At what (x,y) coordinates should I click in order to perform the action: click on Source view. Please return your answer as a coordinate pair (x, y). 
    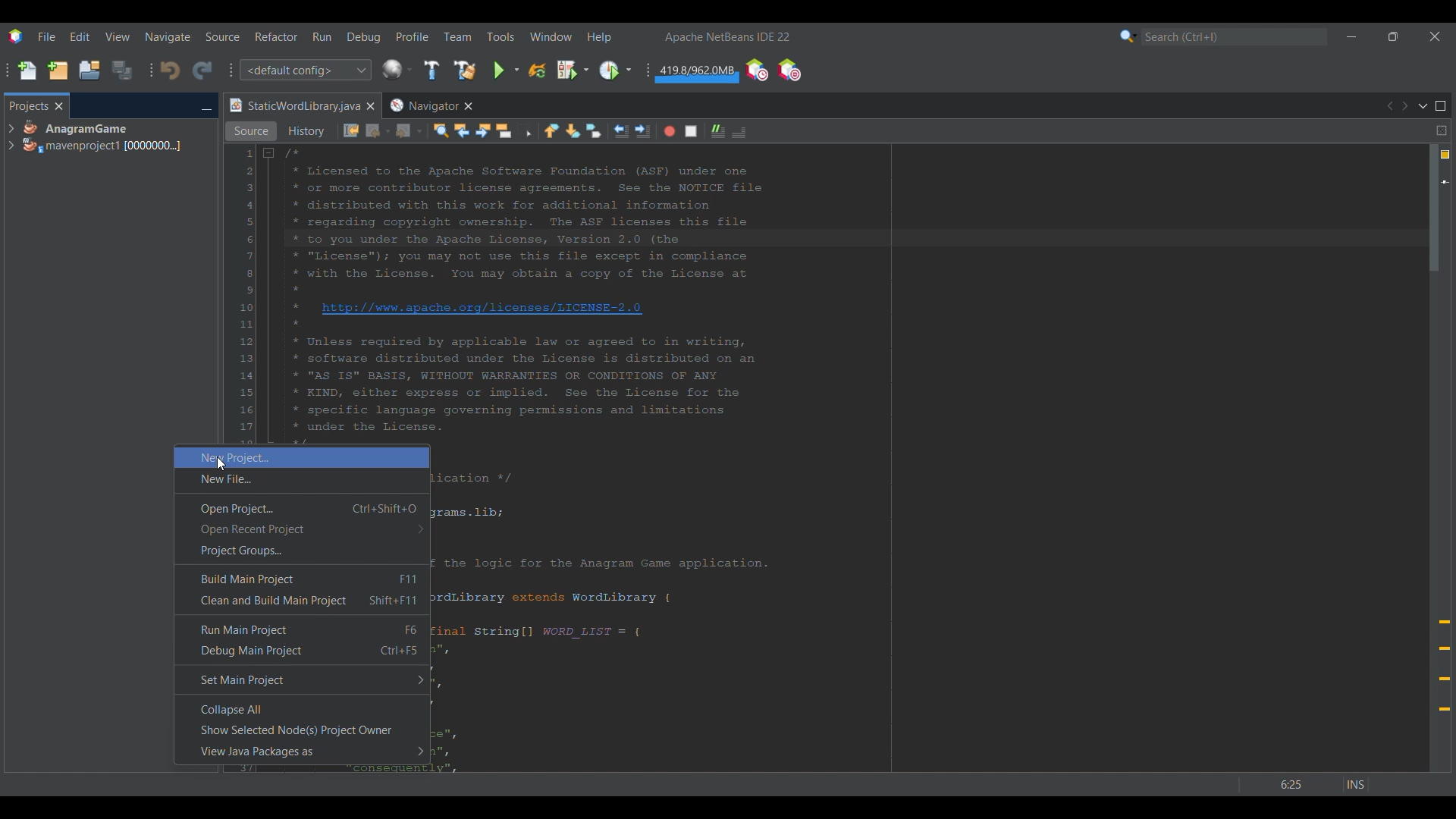
    Looking at the image, I should click on (251, 131).